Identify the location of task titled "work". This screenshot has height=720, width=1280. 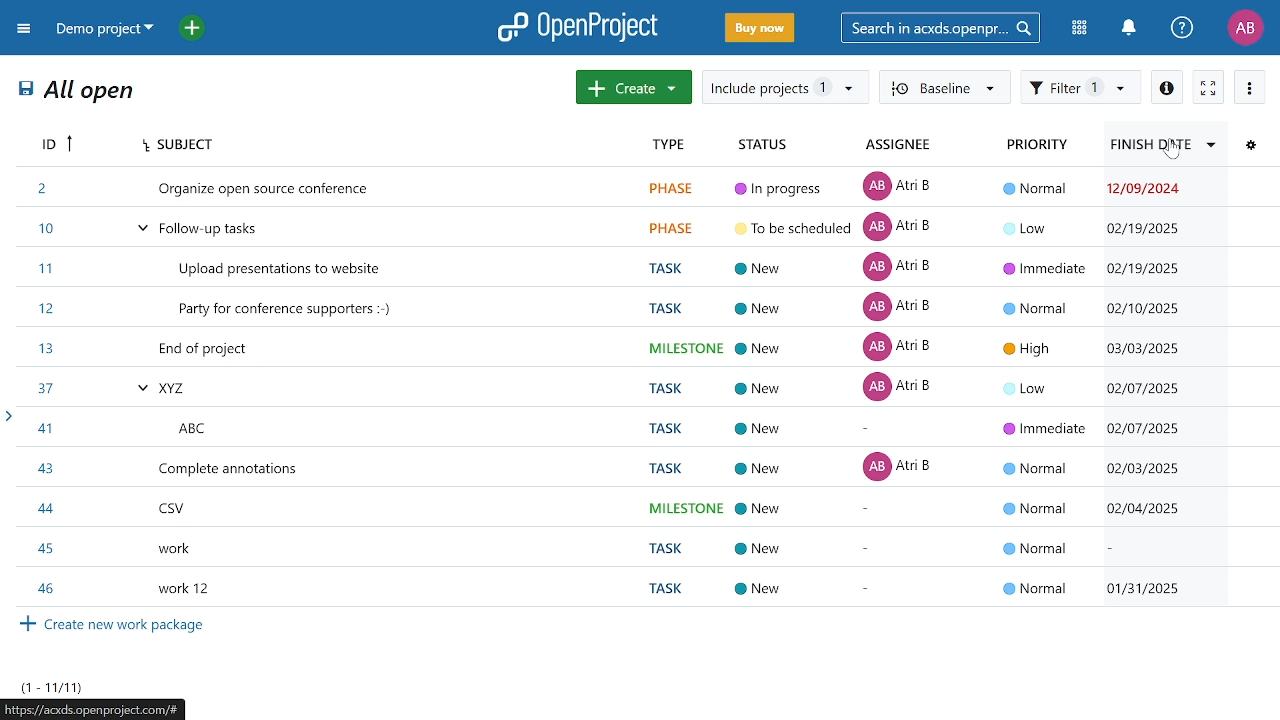
(651, 545).